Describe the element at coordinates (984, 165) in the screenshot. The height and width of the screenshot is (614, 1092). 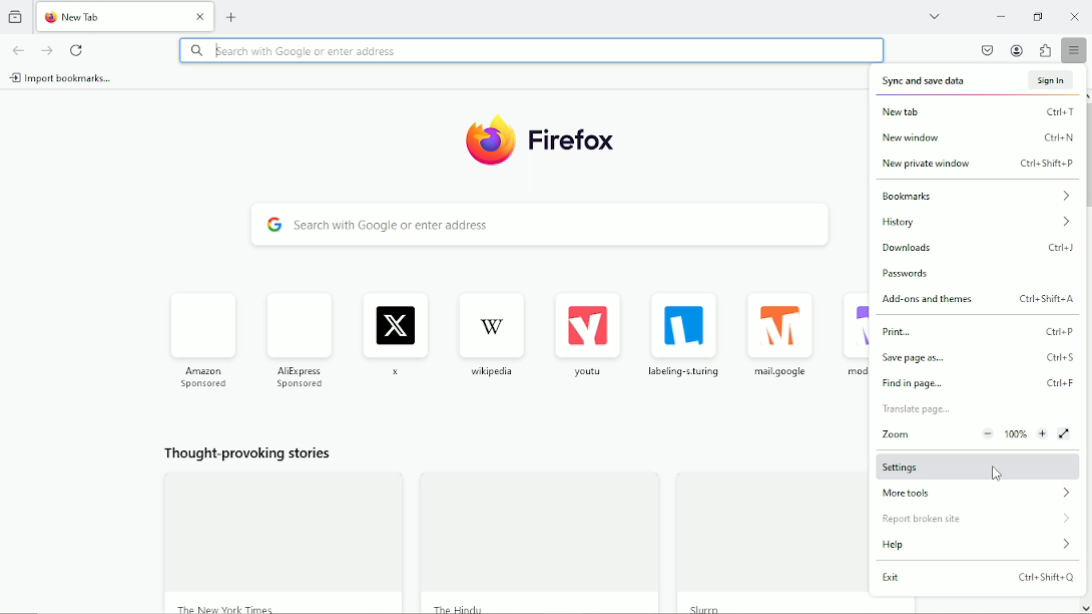
I see `New private window` at that location.